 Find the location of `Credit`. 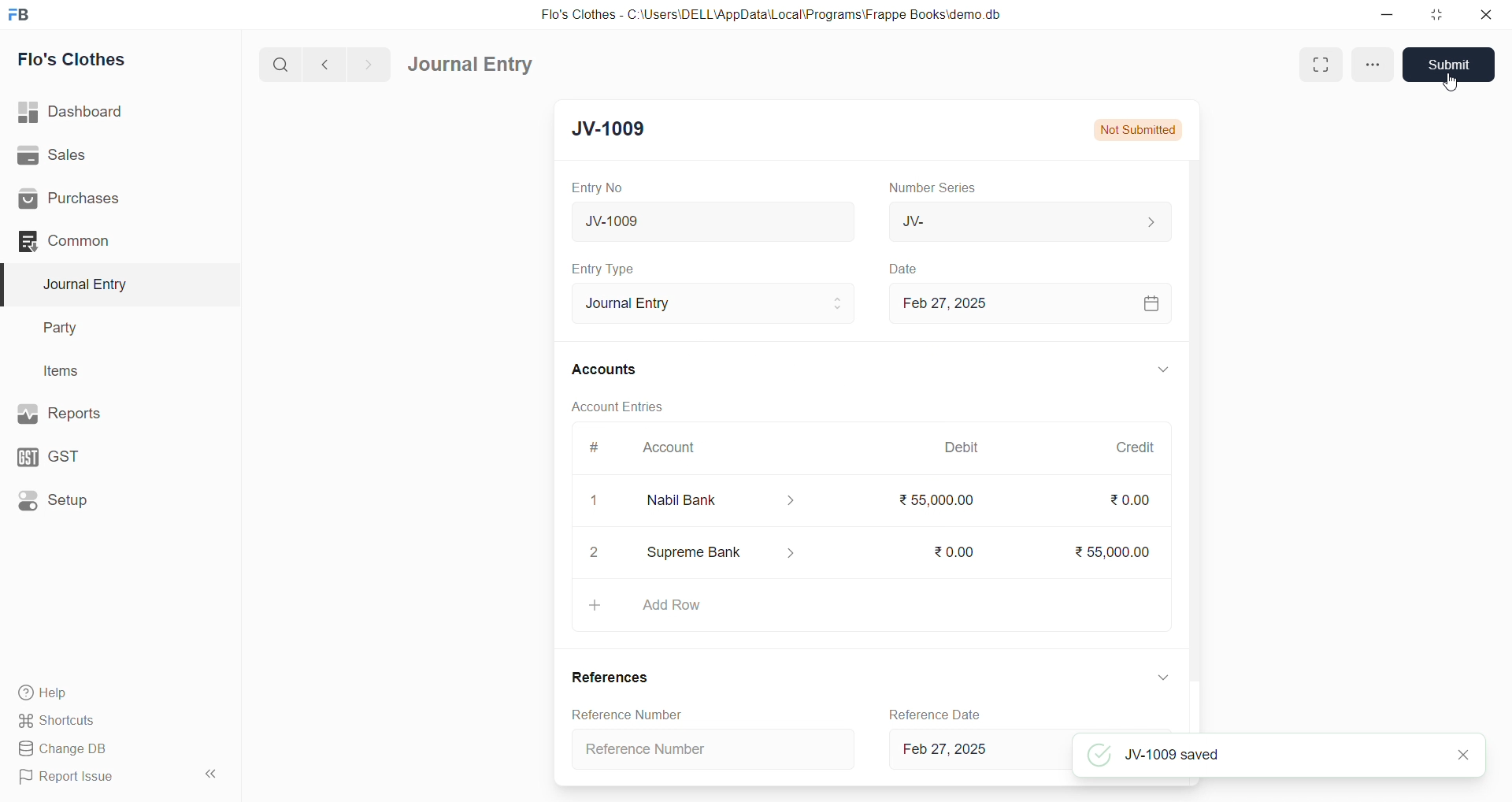

Credit is located at coordinates (1137, 448).